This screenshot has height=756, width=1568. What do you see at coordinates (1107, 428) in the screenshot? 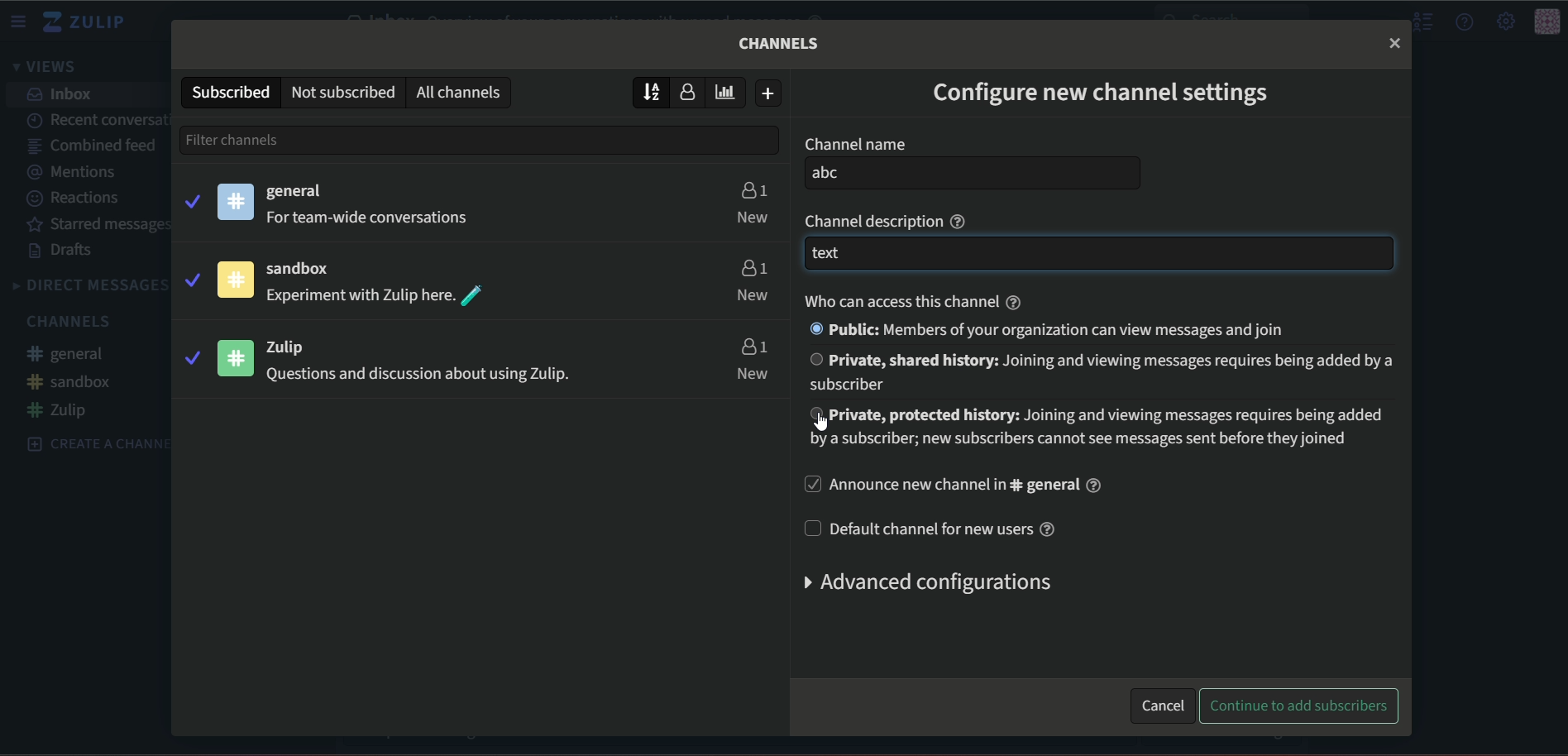
I see `Private, protected history: Joining and viewing messages requires being added
by a subscriber; new subscribers cannot see messages sent before they joined` at bounding box center [1107, 428].